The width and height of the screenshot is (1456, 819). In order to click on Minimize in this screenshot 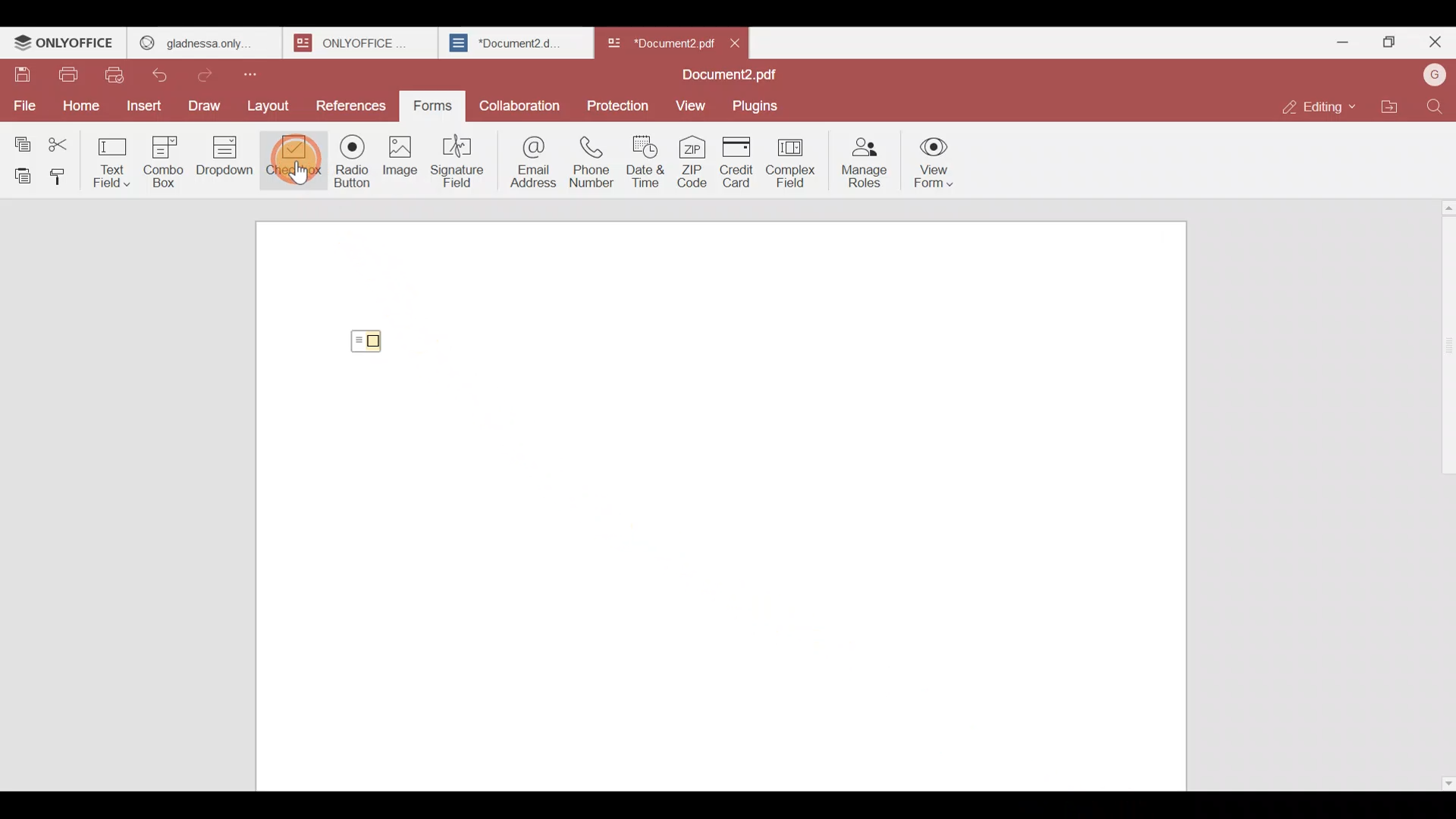, I will do `click(1336, 39)`.